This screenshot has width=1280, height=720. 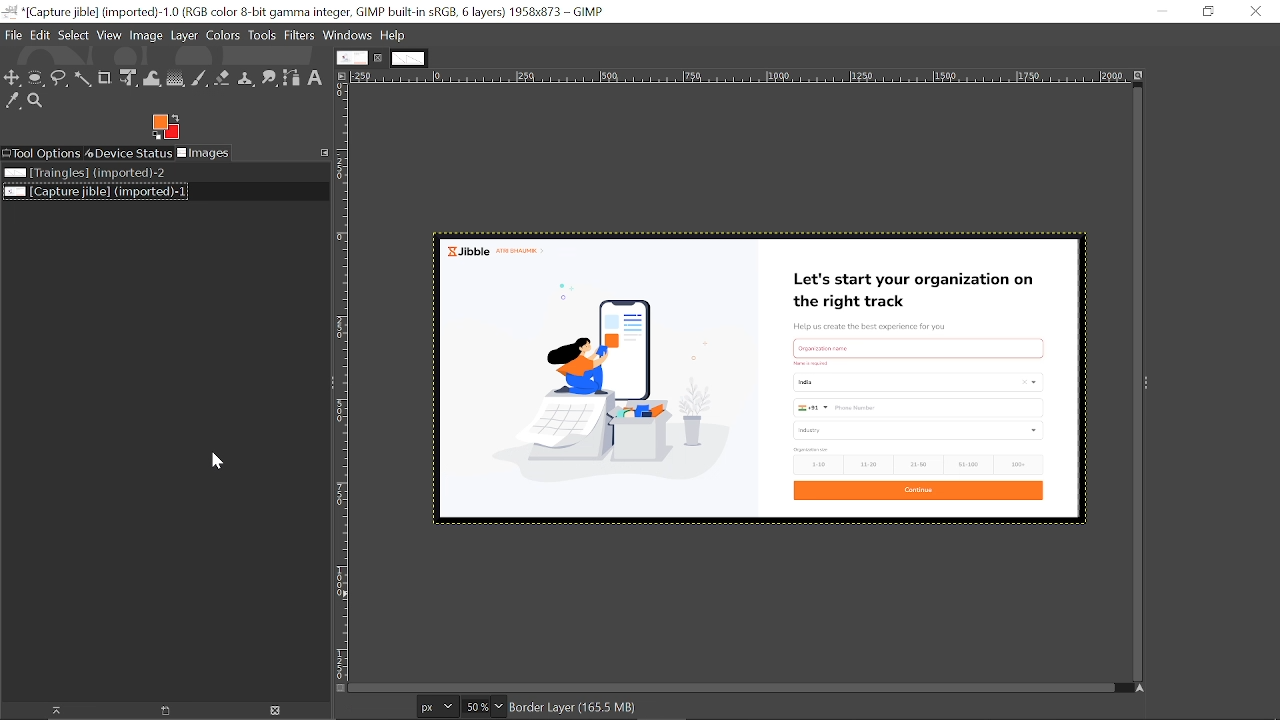 I want to click on Current zoom, so click(x=475, y=708).